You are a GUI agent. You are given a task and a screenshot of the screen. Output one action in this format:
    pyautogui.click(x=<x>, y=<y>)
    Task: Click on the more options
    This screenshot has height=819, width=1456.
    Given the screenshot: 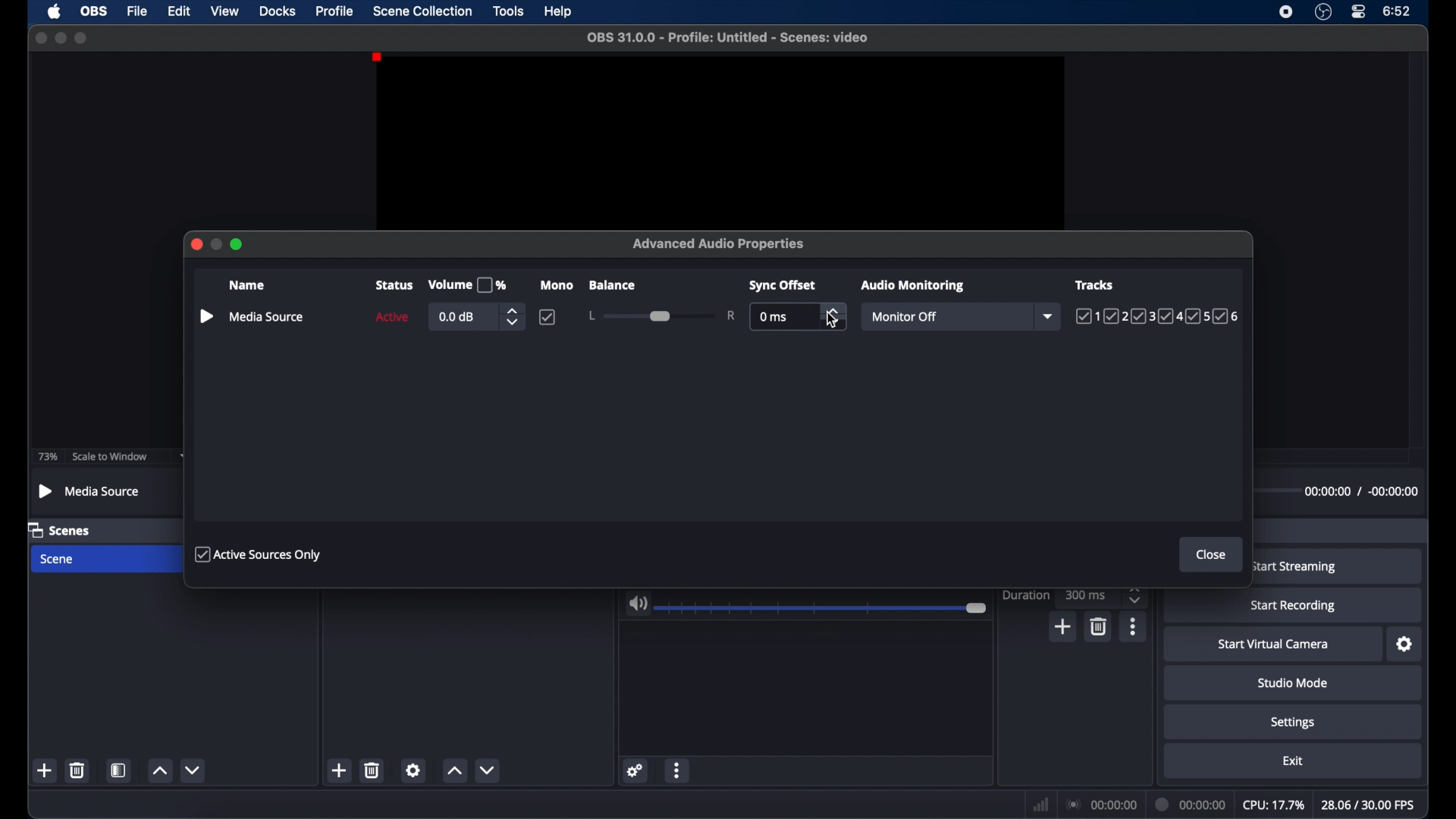 What is the action you would take?
    pyautogui.click(x=678, y=770)
    